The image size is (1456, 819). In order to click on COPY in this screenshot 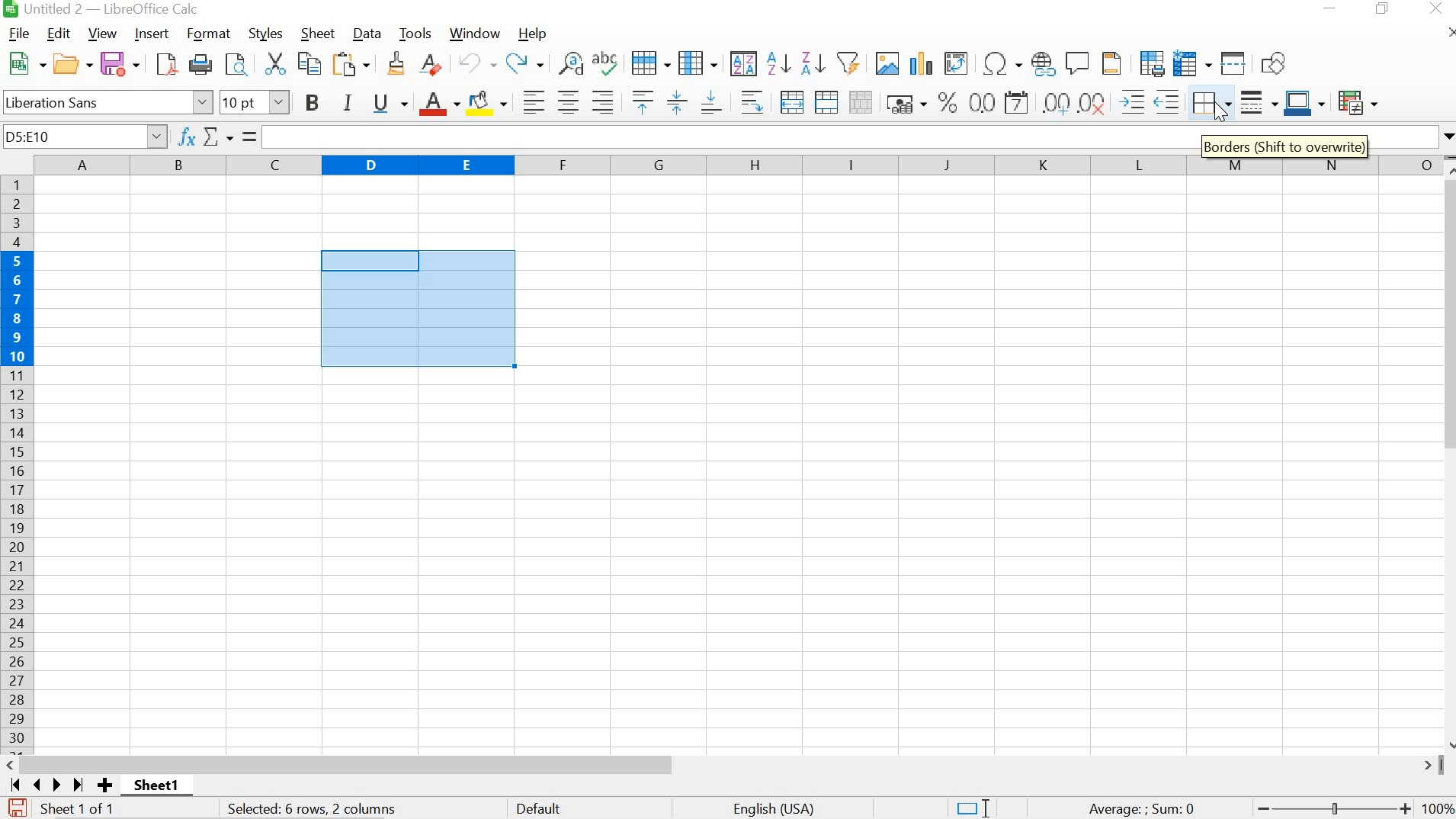, I will do `click(311, 62)`.